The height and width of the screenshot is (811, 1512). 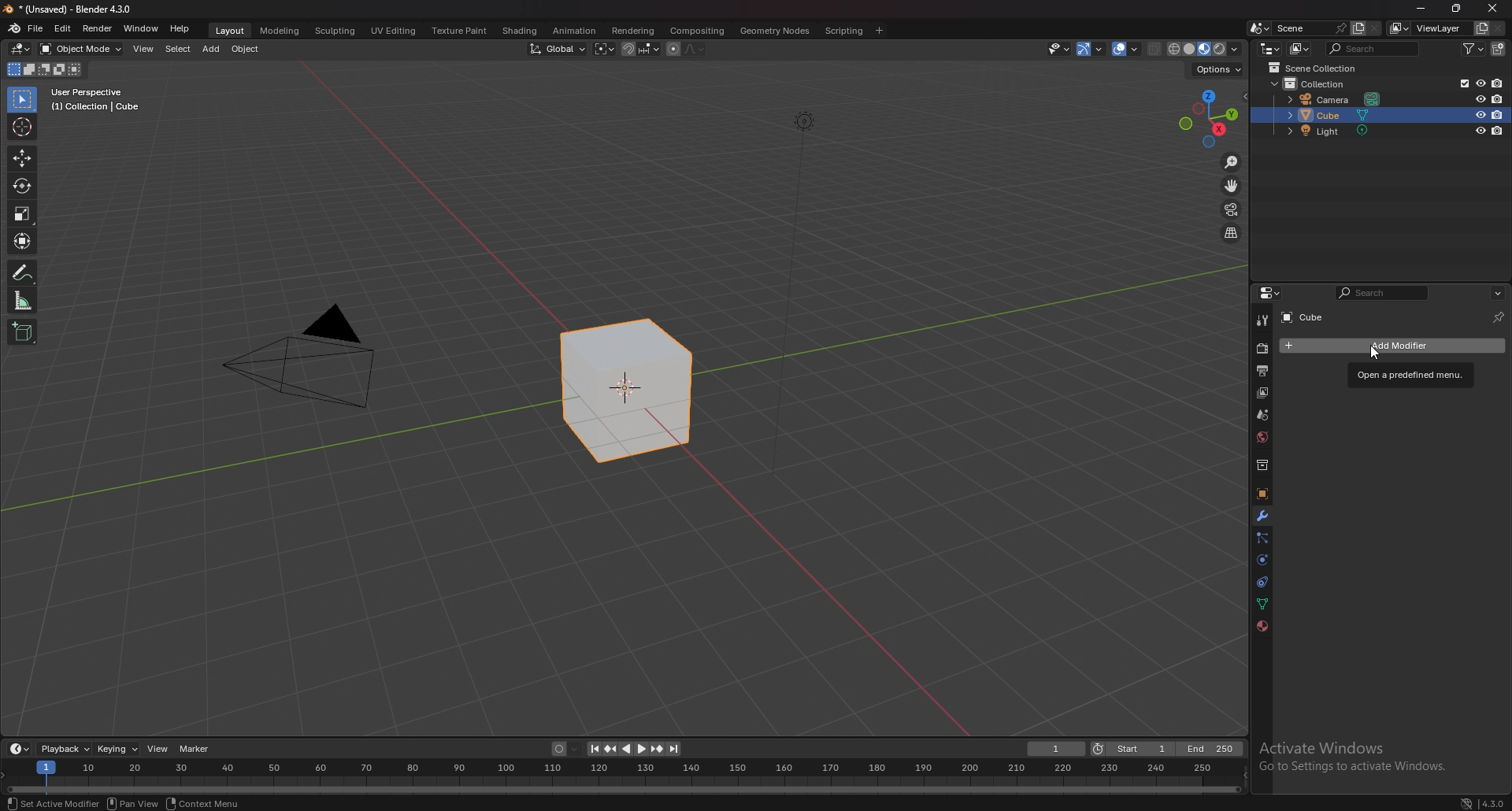 I want to click on rendering, so click(x=633, y=31).